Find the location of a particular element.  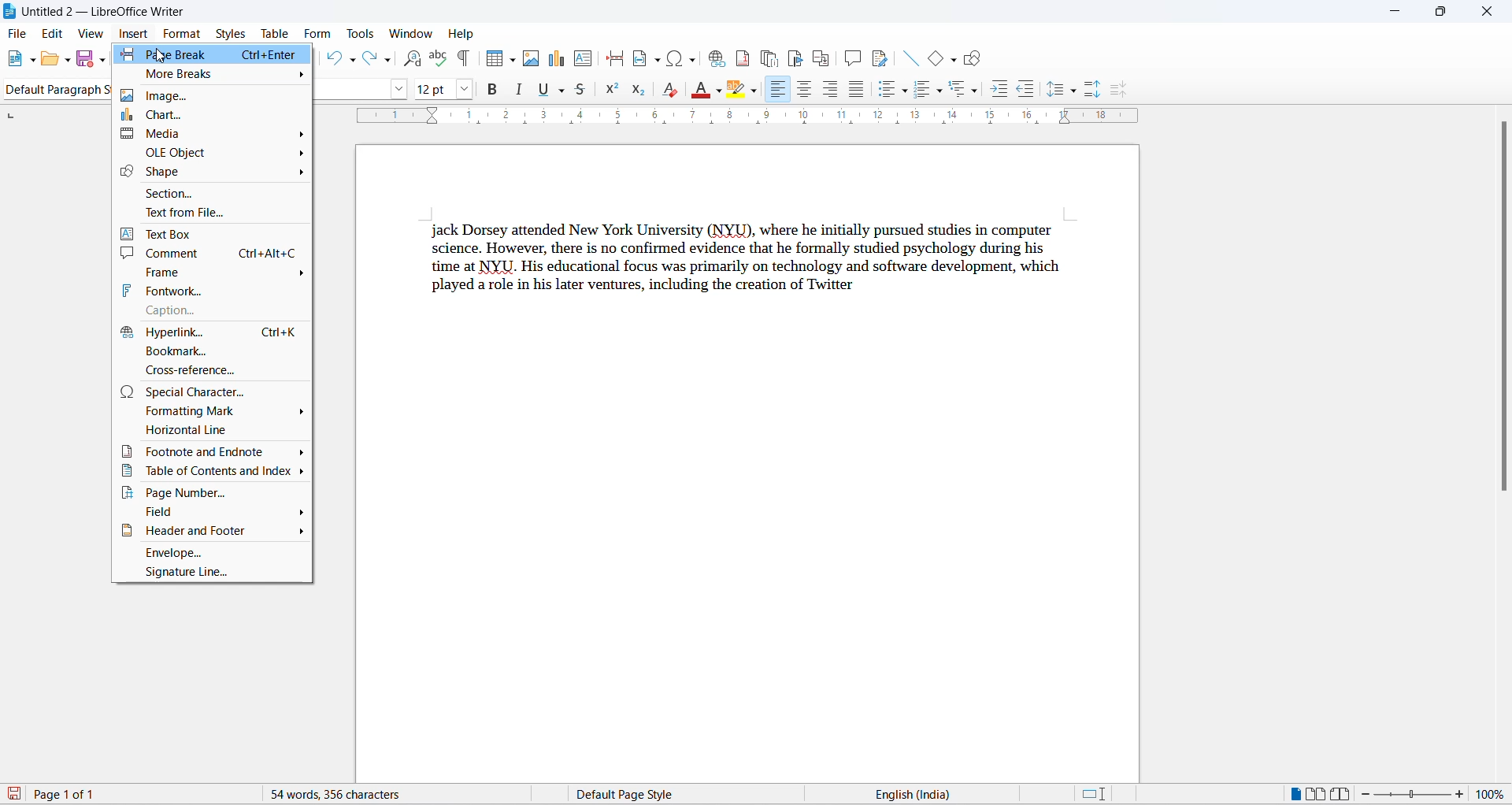

toggle formatting marks is located at coordinates (461, 61).